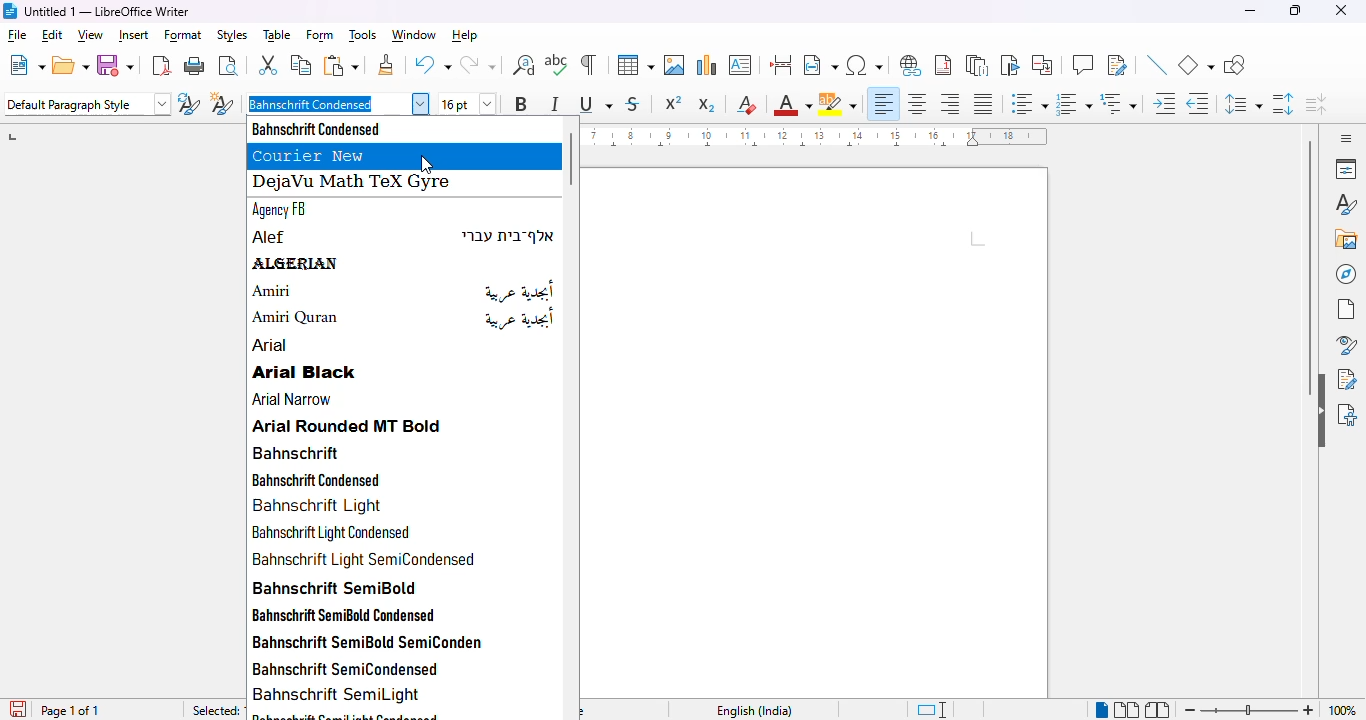  Describe the element at coordinates (424, 165) in the screenshot. I see `cursor` at that location.